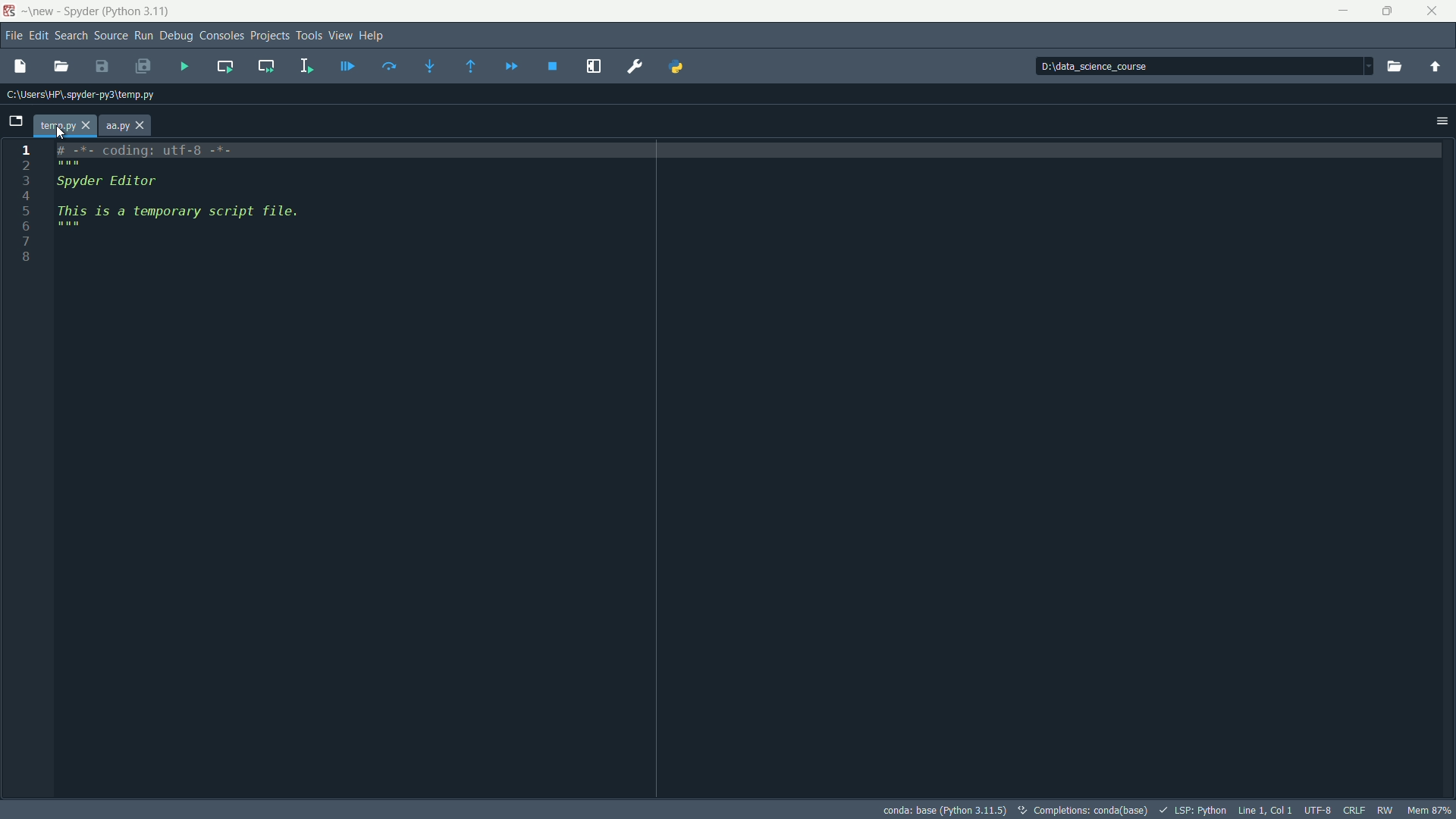 This screenshot has height=819, width=1456. I want to click on run slection or current line, so click(303, 66).